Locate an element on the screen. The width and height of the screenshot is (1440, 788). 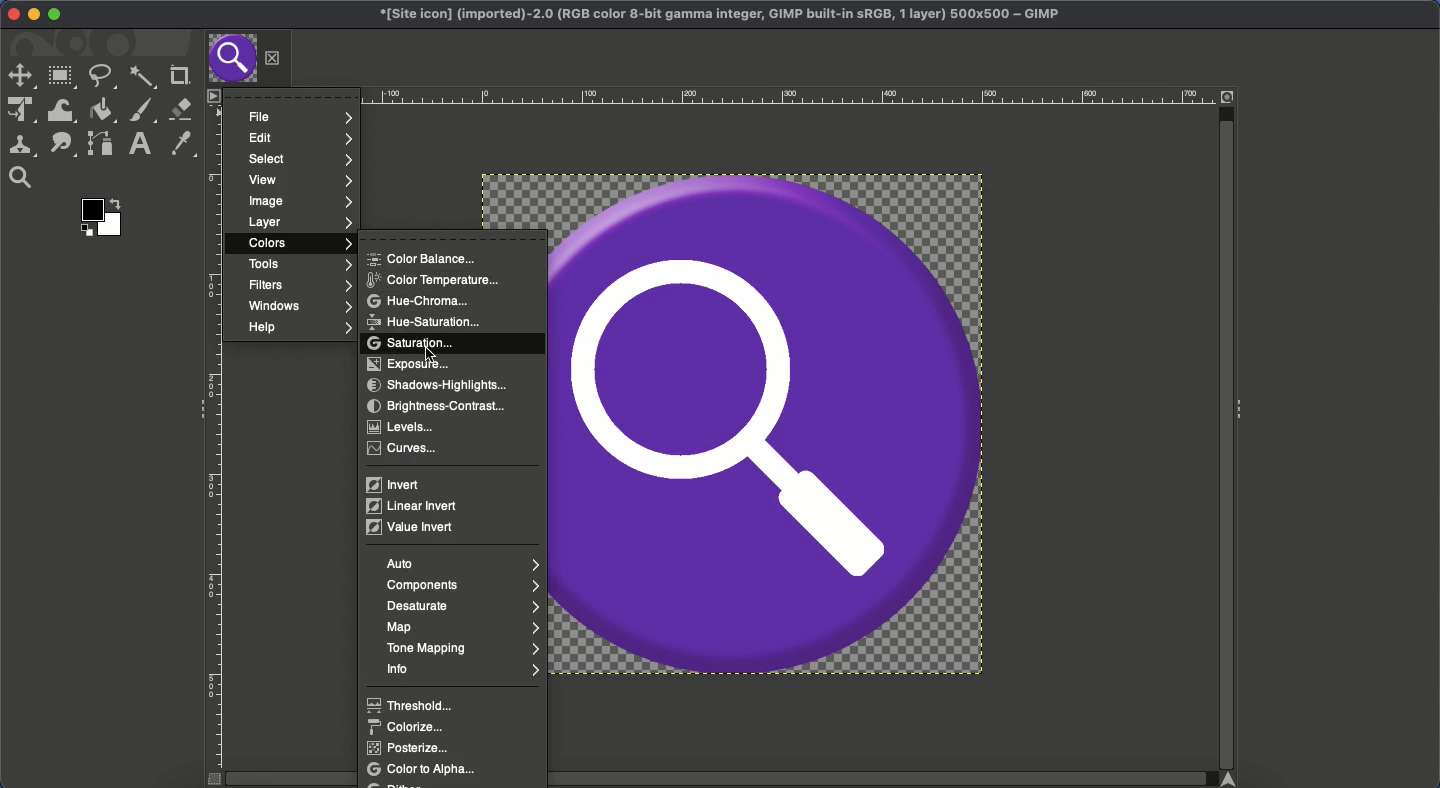
Shadows-highlights is located at coordinates (439, 386).